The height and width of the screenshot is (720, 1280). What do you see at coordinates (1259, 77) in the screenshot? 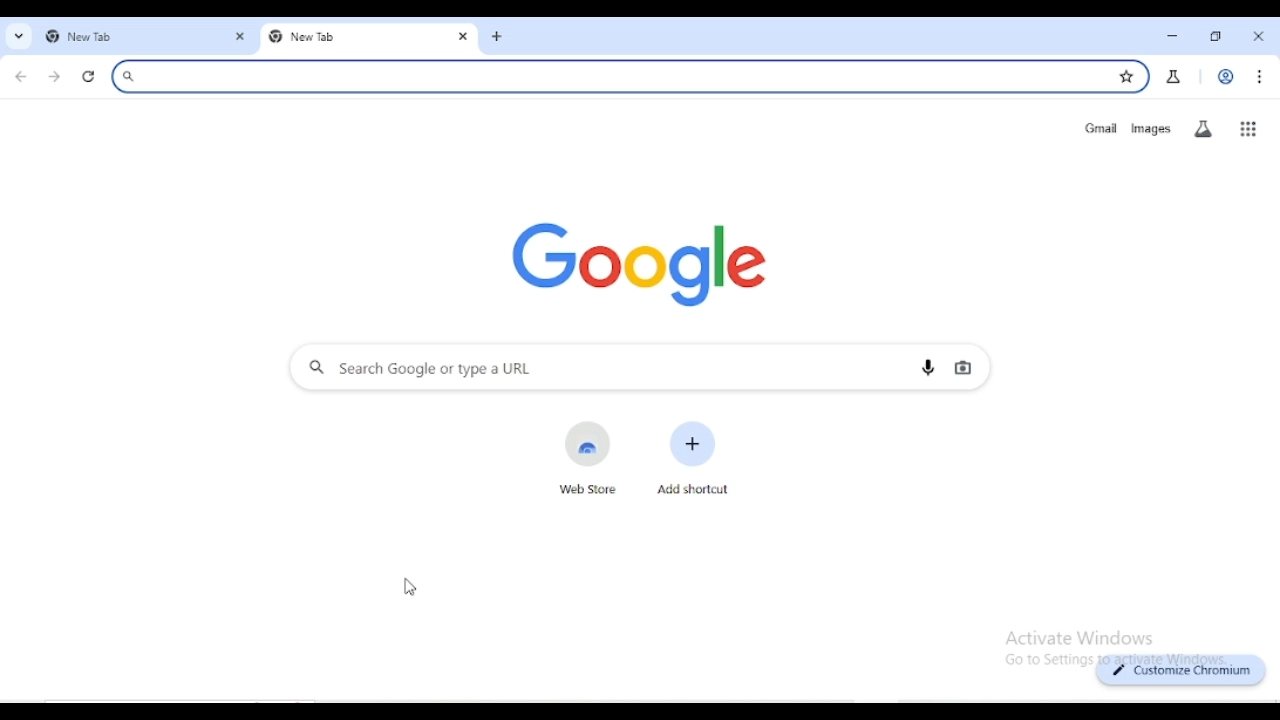
I see `customize and control chromium ` at bounding box center [1259, 77].